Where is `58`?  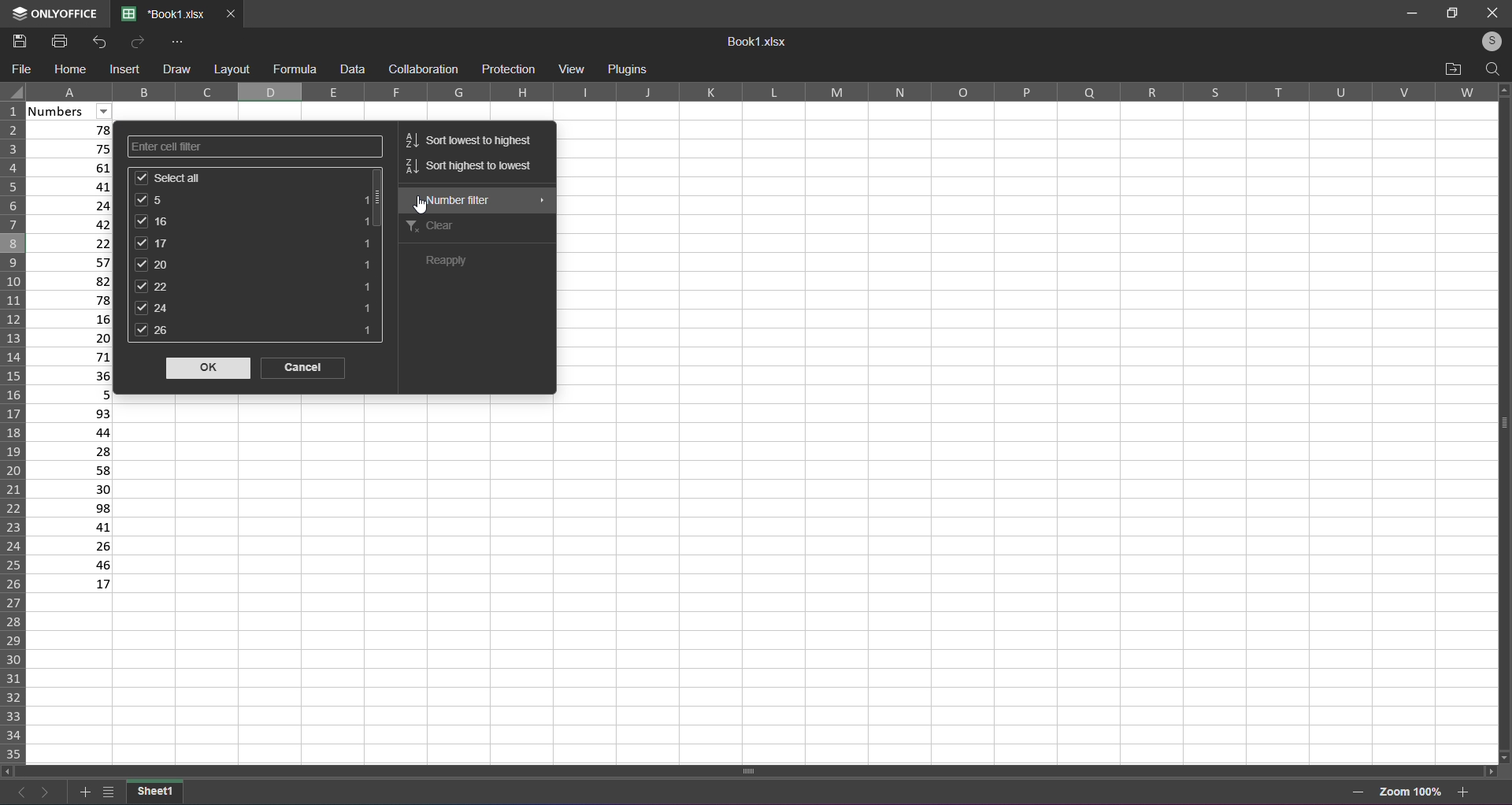 58 is located at coordinates (71, 470).